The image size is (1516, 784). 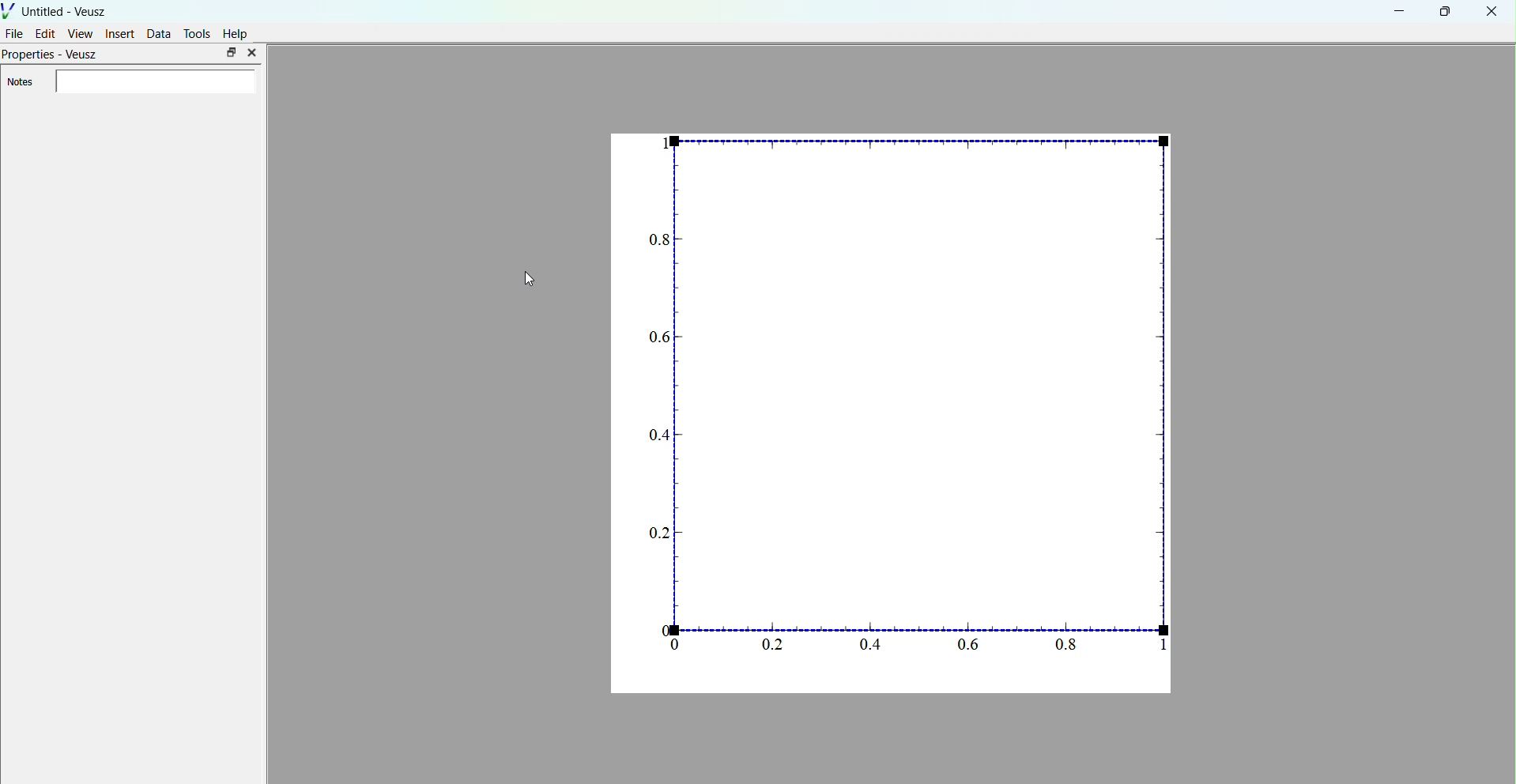 What do you see at coordinates (120, 33) in the screenshot?
I see `Insert` at bounding box center [120, 33].